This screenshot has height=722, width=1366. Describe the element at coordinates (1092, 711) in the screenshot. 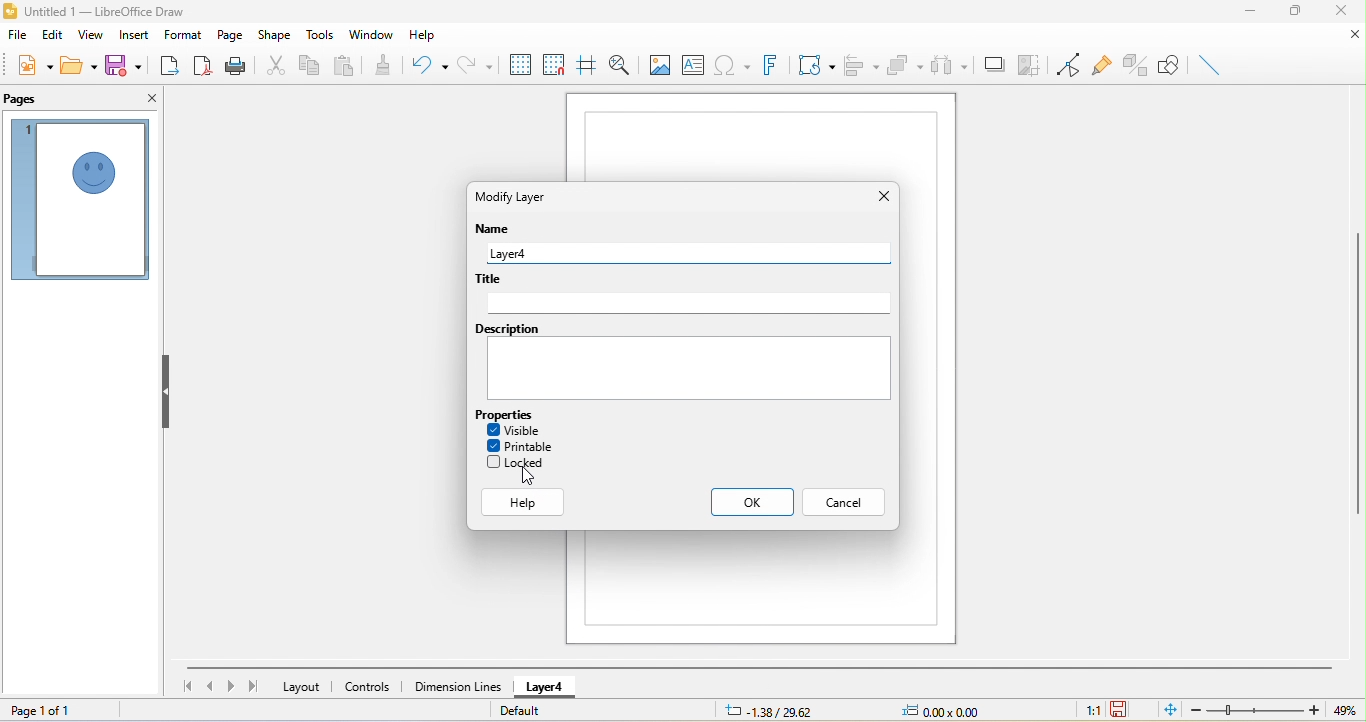

I see `1:1` at that location.